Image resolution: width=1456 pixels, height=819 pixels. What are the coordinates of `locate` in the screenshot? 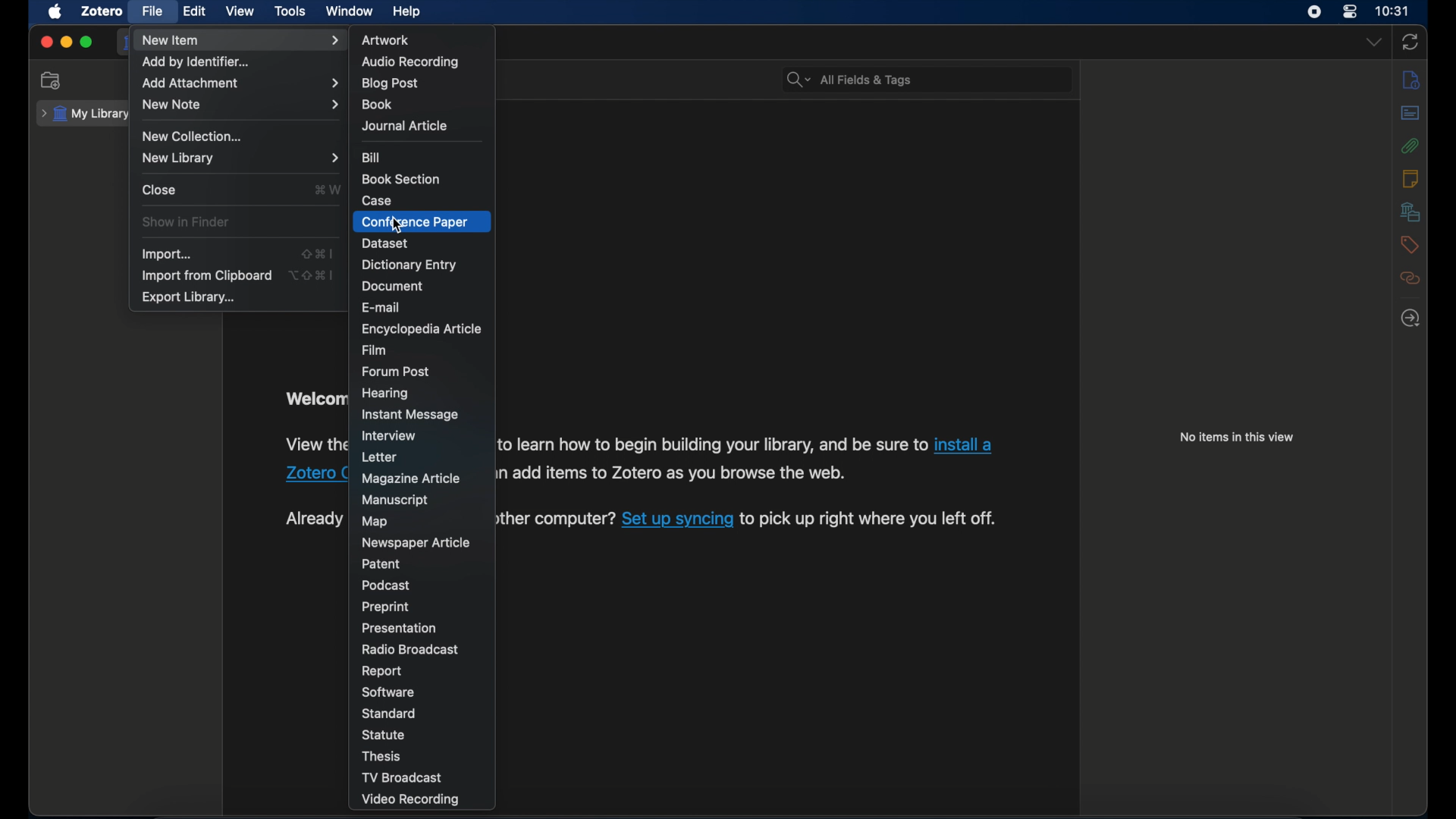 It's located at (1410, 317).